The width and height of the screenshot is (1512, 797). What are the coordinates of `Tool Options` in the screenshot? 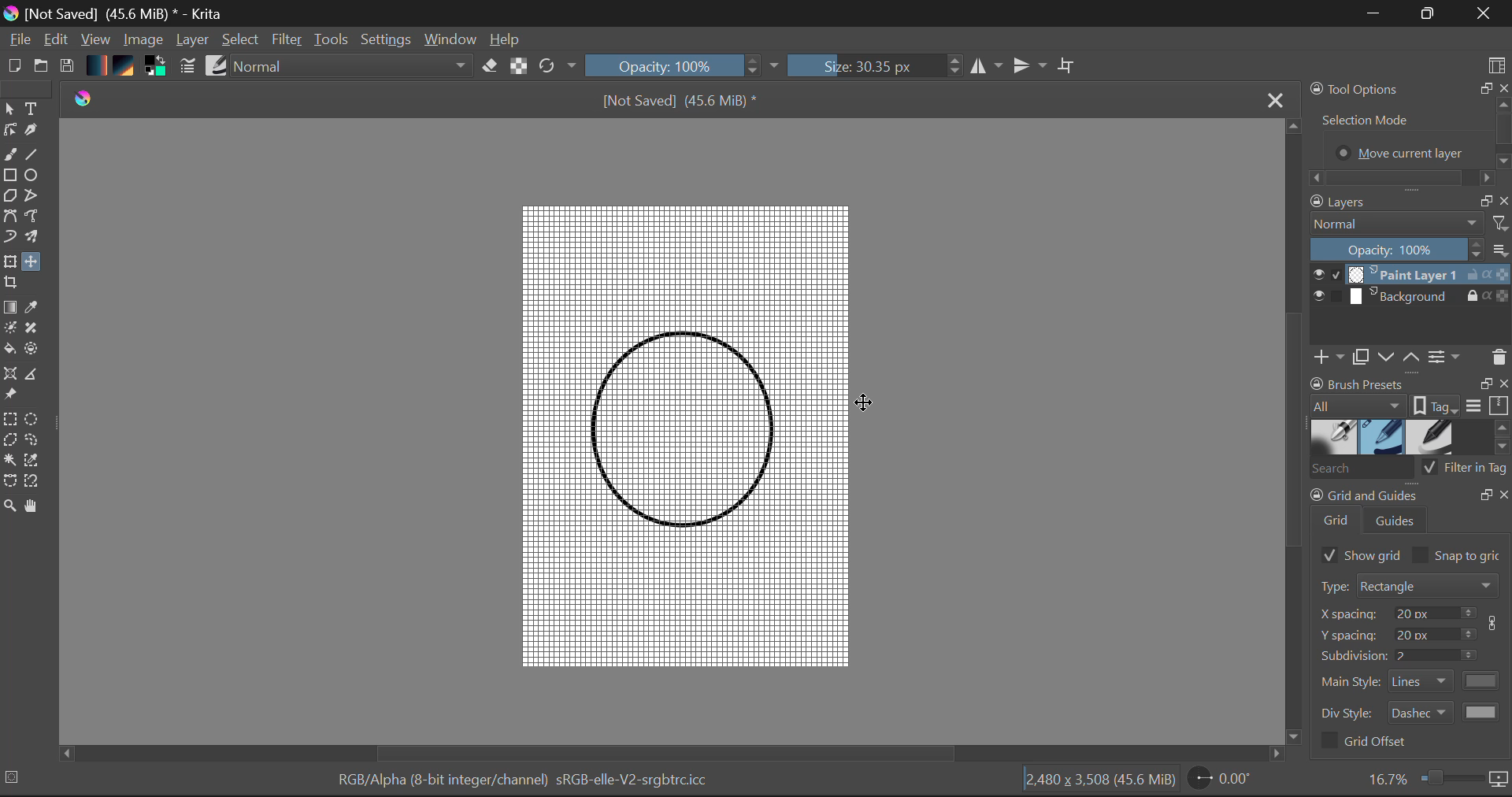 It's located at (1408, 132).